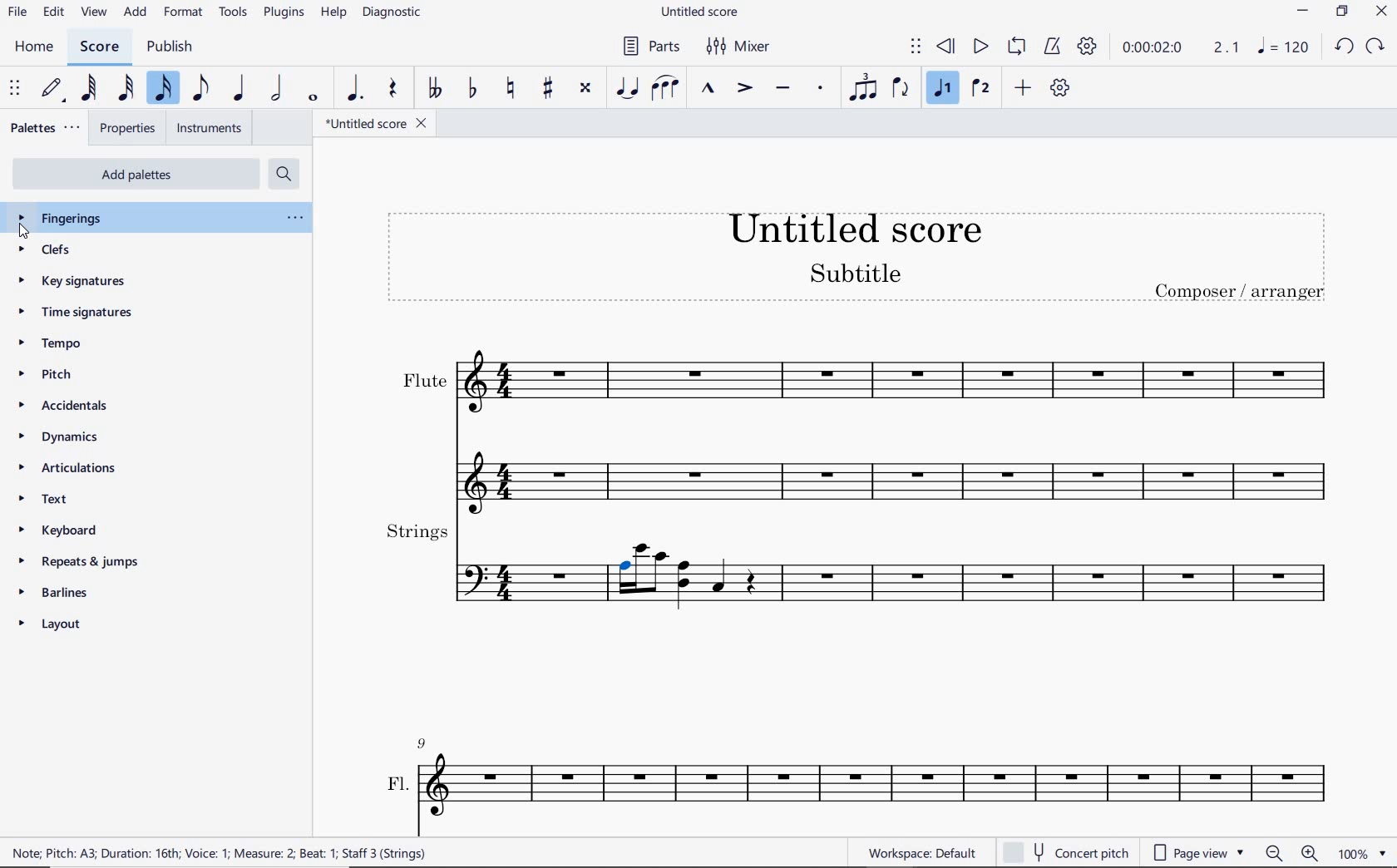 This screenshot has height=868, width=1397. What do you see at coordinates (1180, 47) in the screenshot?
I see `Play time` at bounding box center [1180, 47].